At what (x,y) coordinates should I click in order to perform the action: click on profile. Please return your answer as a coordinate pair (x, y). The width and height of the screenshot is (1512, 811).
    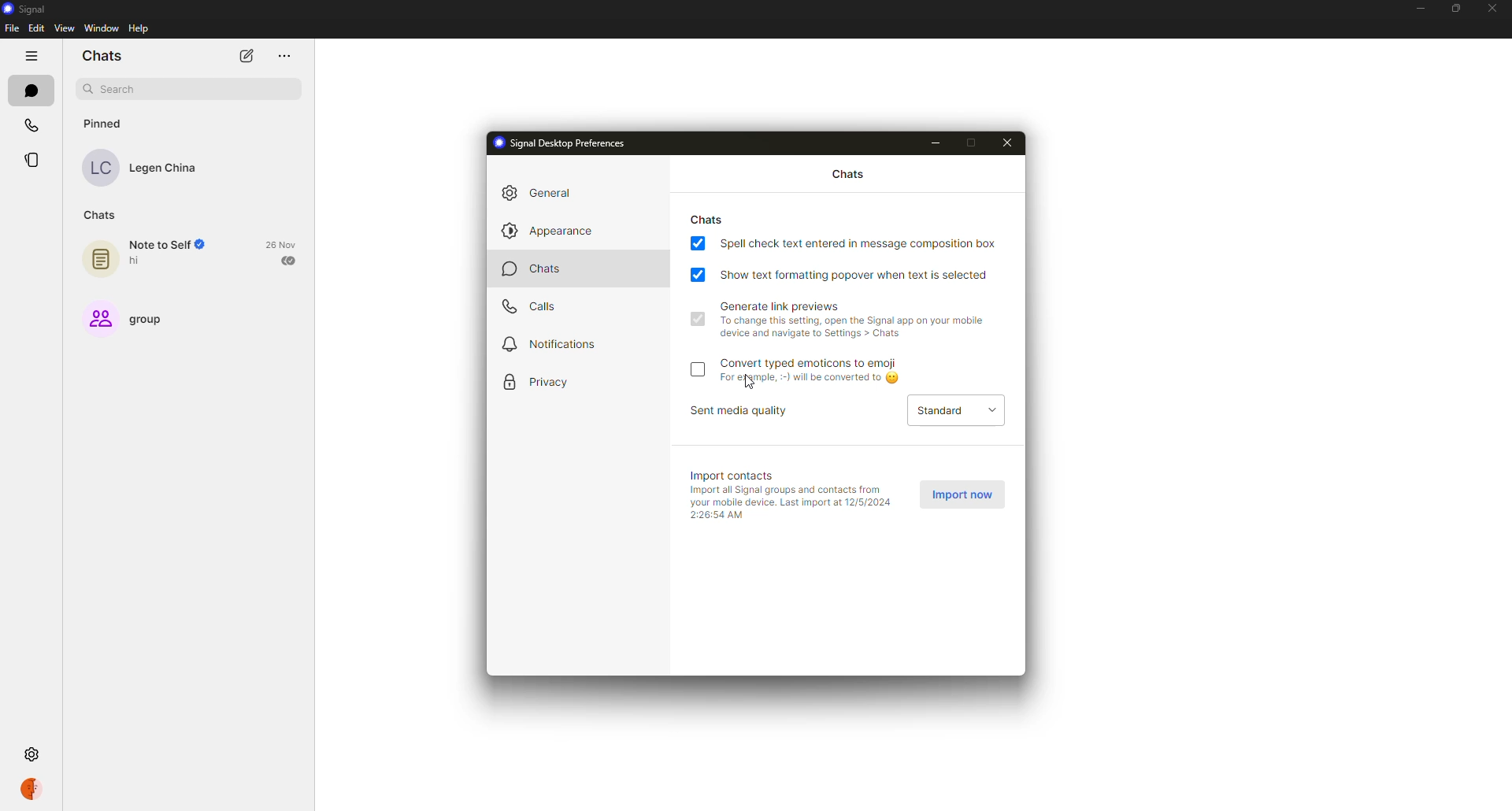
    Looking at the image, I should click on (30, 791).